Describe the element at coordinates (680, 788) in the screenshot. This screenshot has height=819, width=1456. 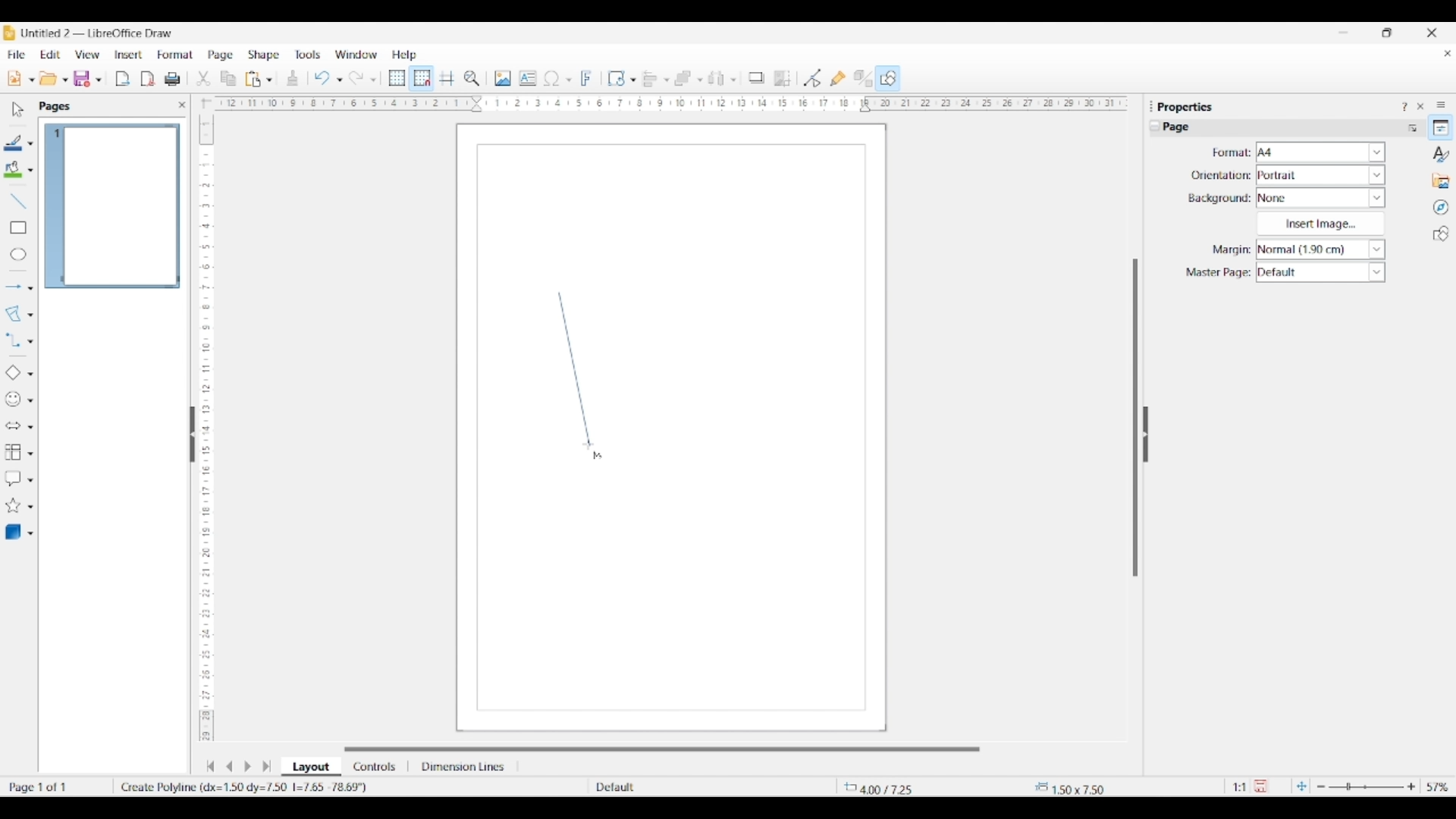
I see `Slide master name` at that location.